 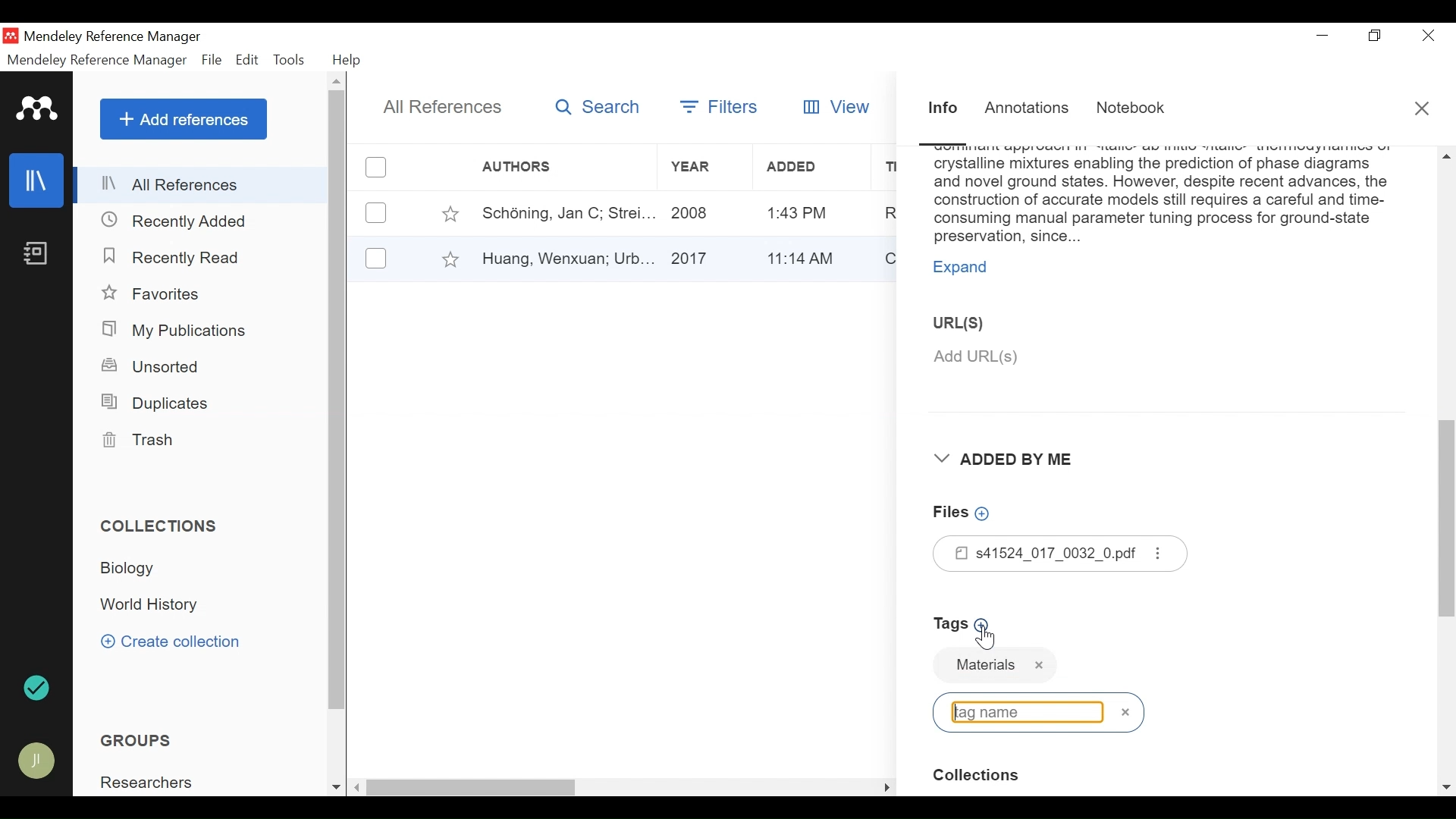 I want to click on Cursor, so click(x=984, y=636).